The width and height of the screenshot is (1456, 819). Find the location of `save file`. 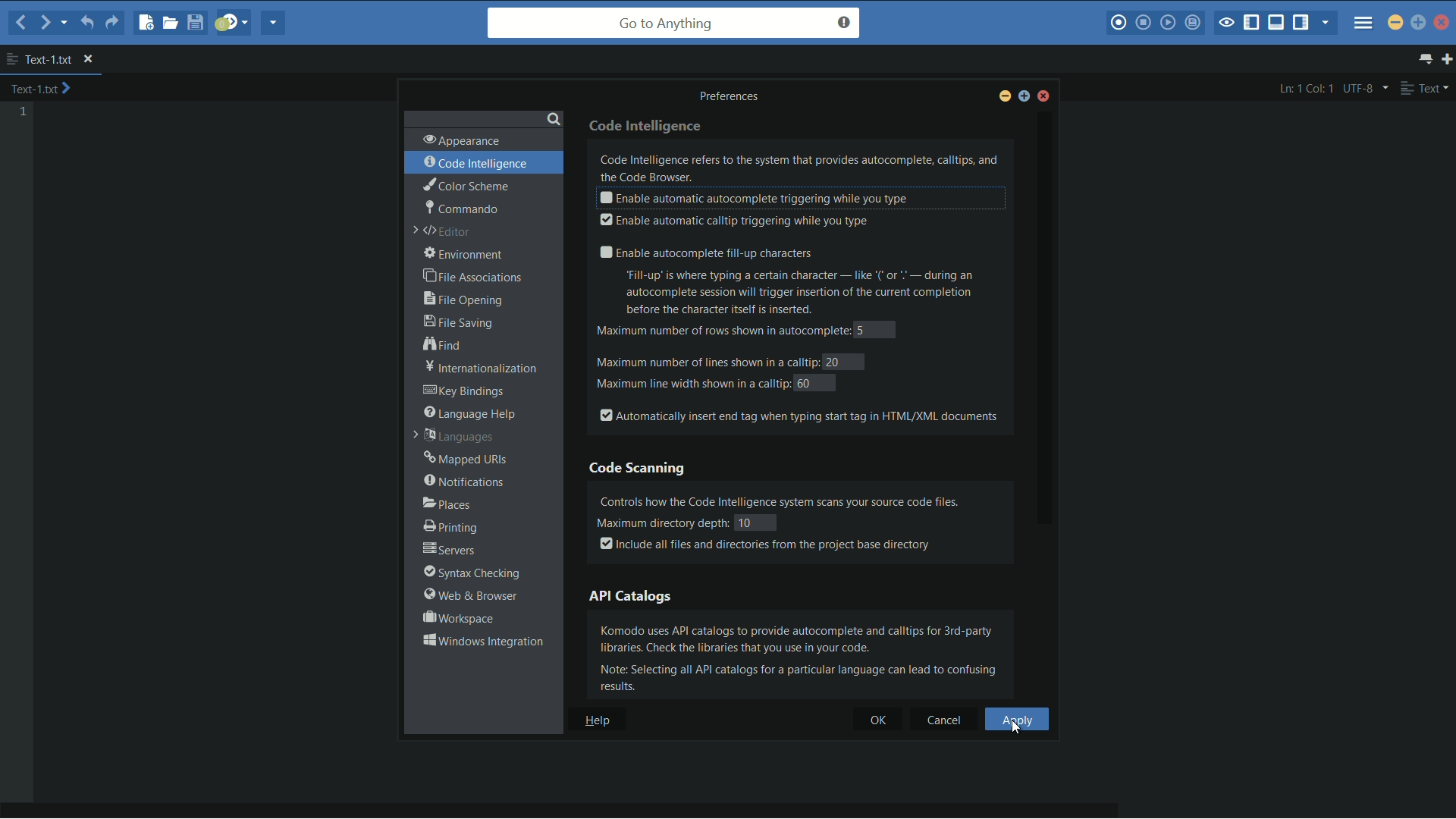

save file is located at coordinates (197, 22).